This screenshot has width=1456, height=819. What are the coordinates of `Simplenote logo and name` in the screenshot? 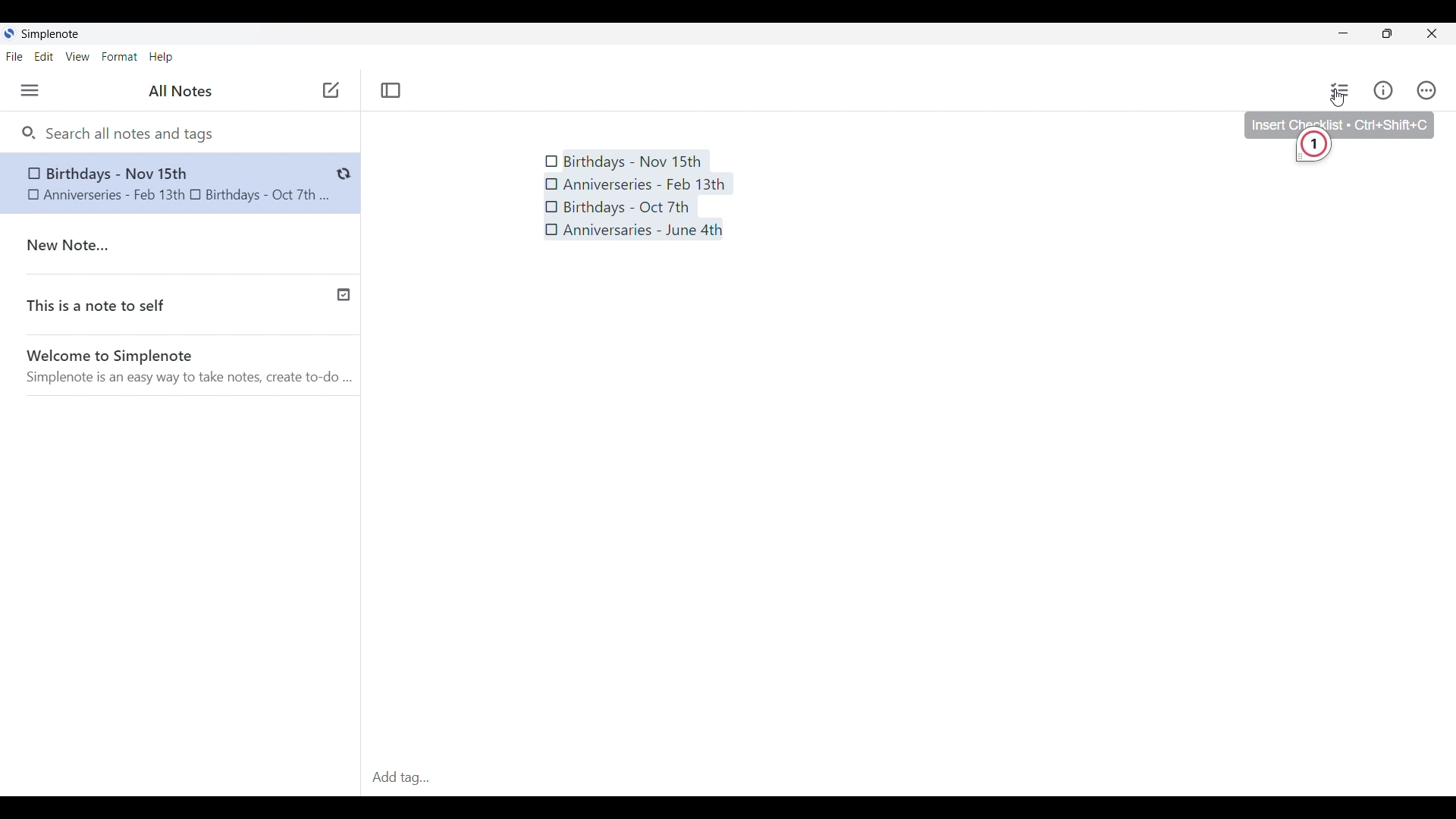 It's located at (54, 33).